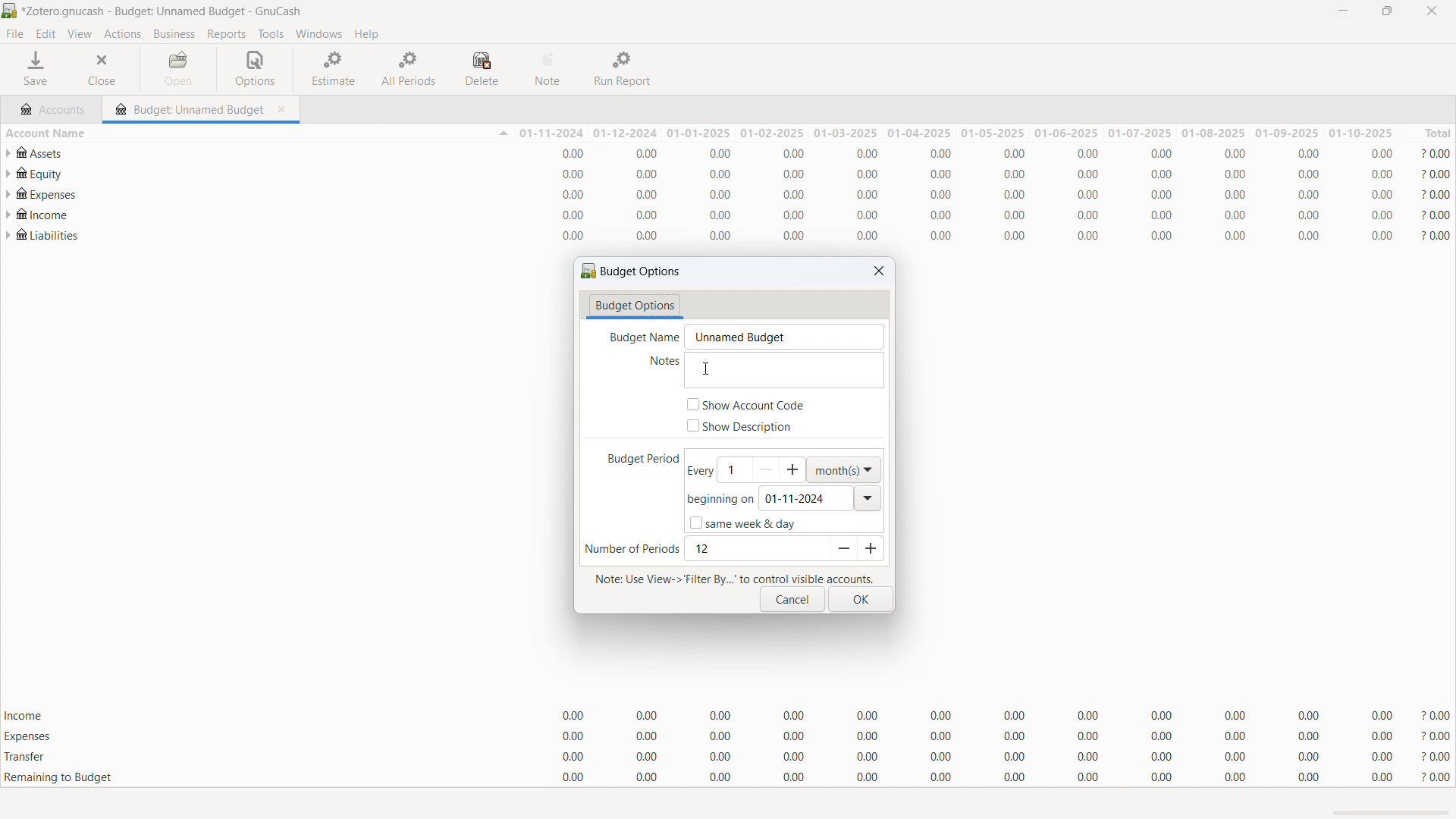 This screenshot has width=1456, height=819. Describe the element at coordinates (255, 69) in the screenshot. I see `options` at that location.